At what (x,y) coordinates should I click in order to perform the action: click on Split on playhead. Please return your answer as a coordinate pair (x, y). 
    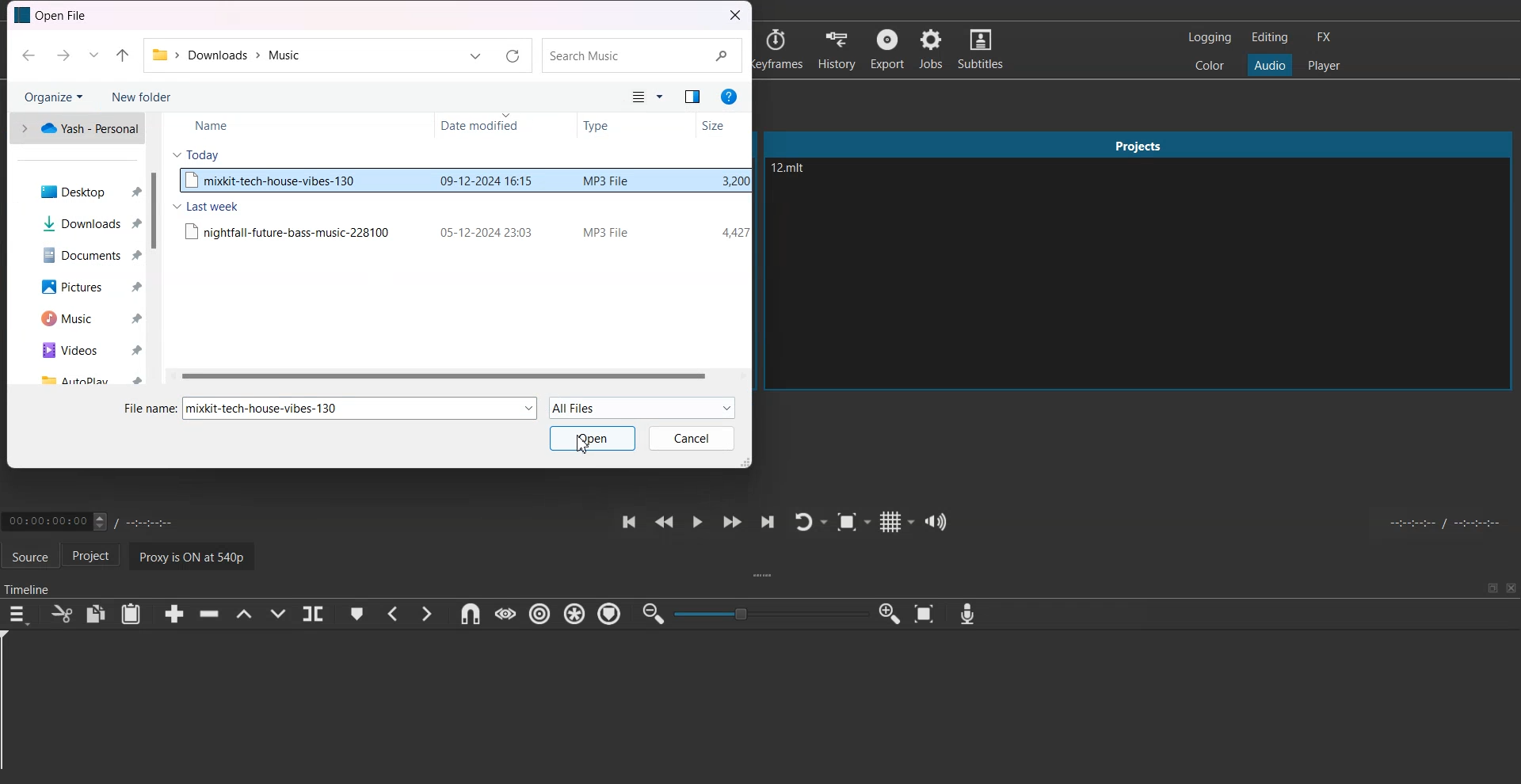
    Looking at the image, I should click on (314, 614).